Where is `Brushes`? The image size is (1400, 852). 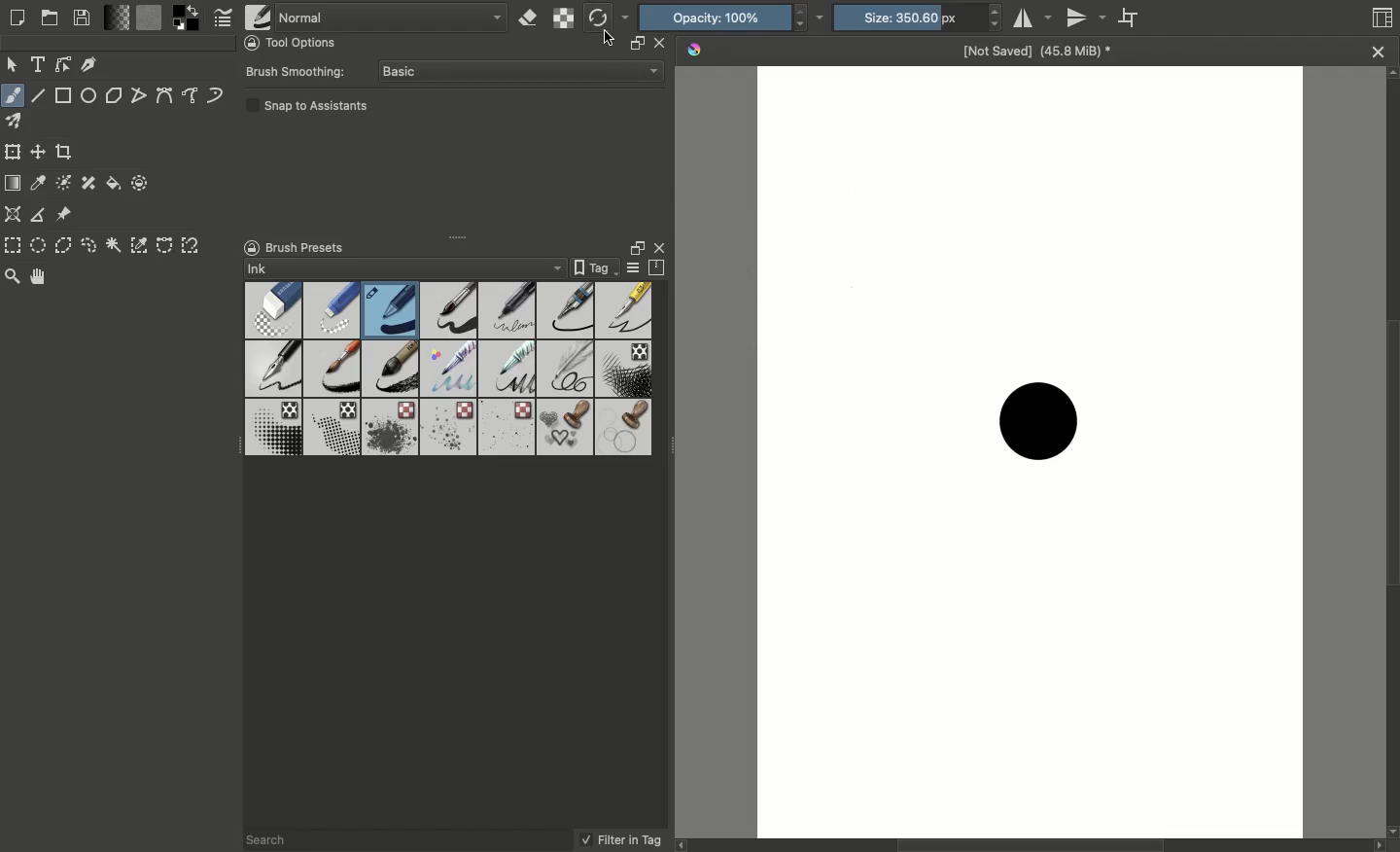 Brushes is located at coordinates (449, 370).